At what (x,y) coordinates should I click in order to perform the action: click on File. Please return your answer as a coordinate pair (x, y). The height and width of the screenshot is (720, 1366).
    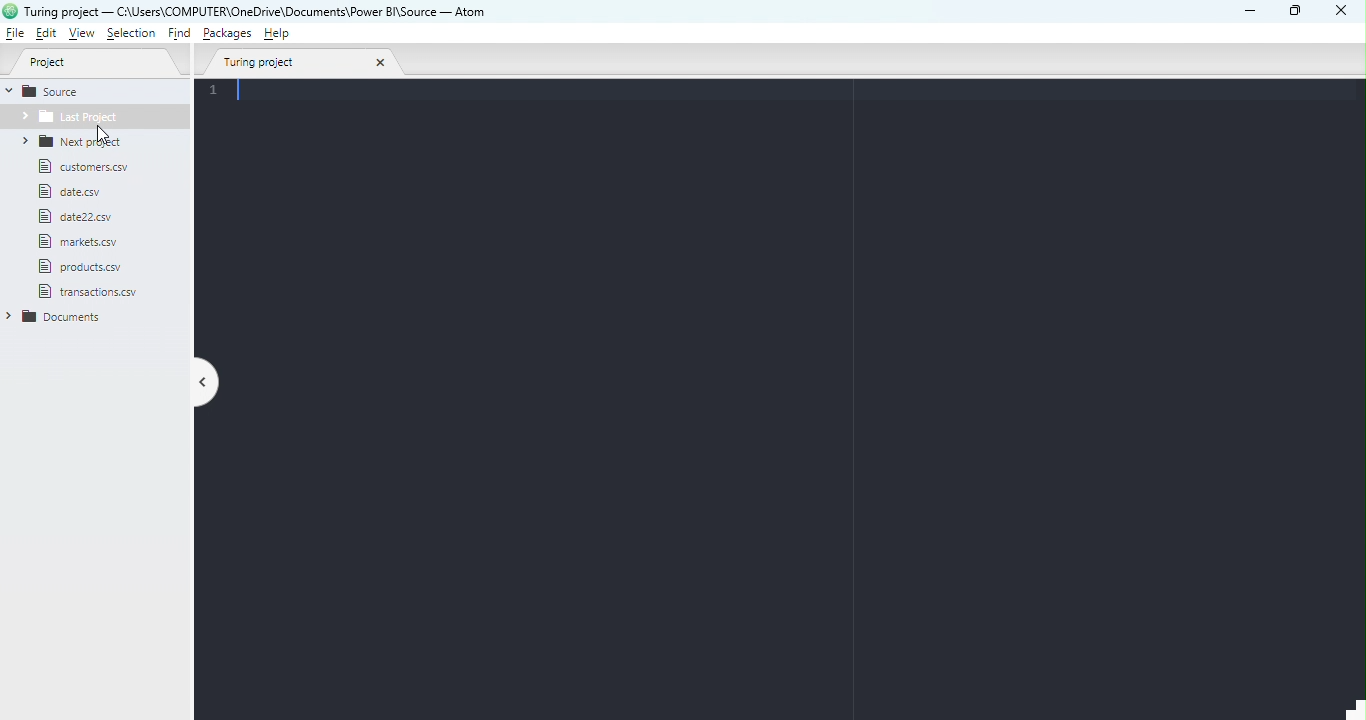
    Looking at the image, I should click on (17, 34).